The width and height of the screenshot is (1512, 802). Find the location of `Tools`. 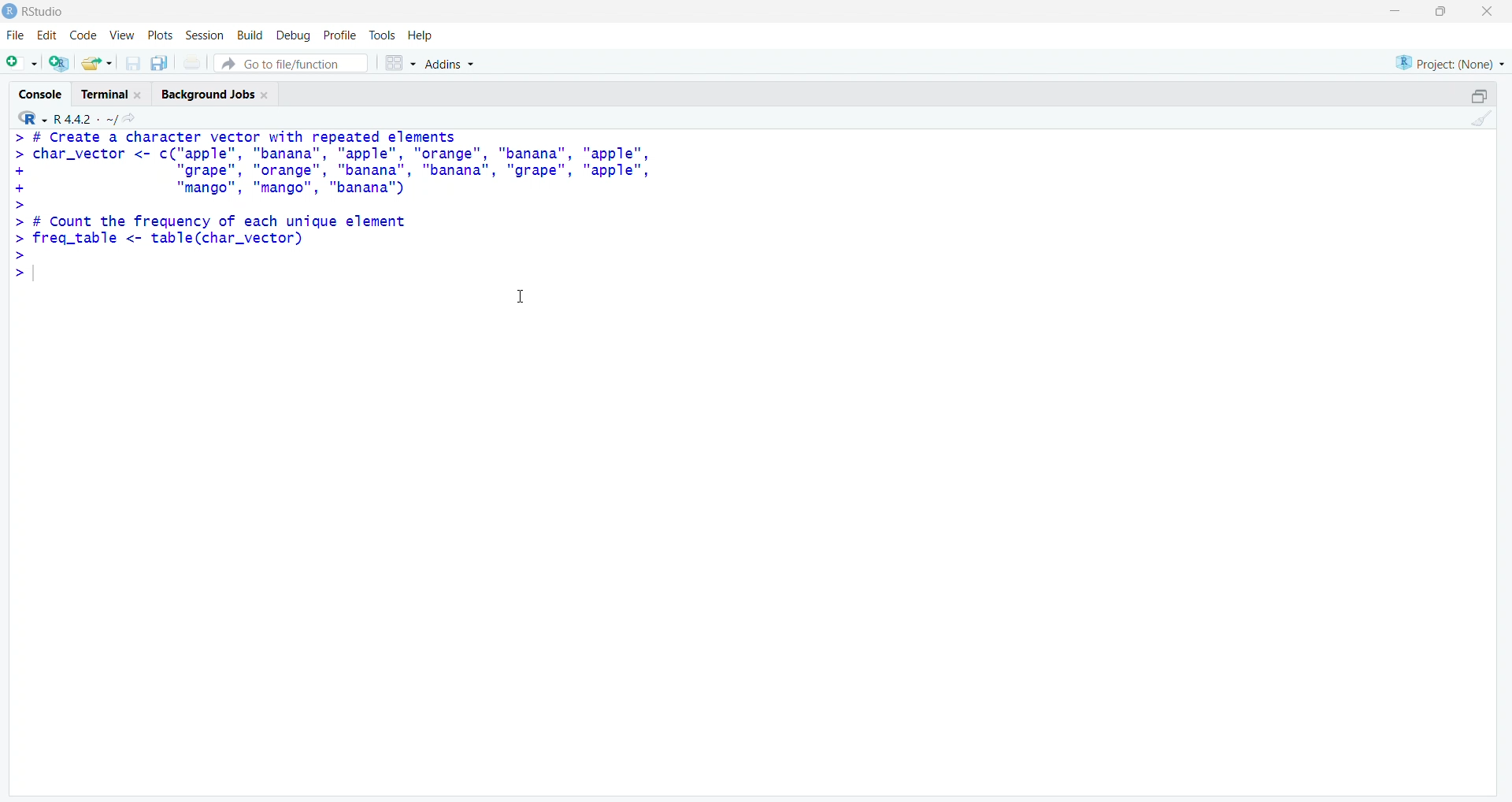

Tools is located at coordinates (382, 35).